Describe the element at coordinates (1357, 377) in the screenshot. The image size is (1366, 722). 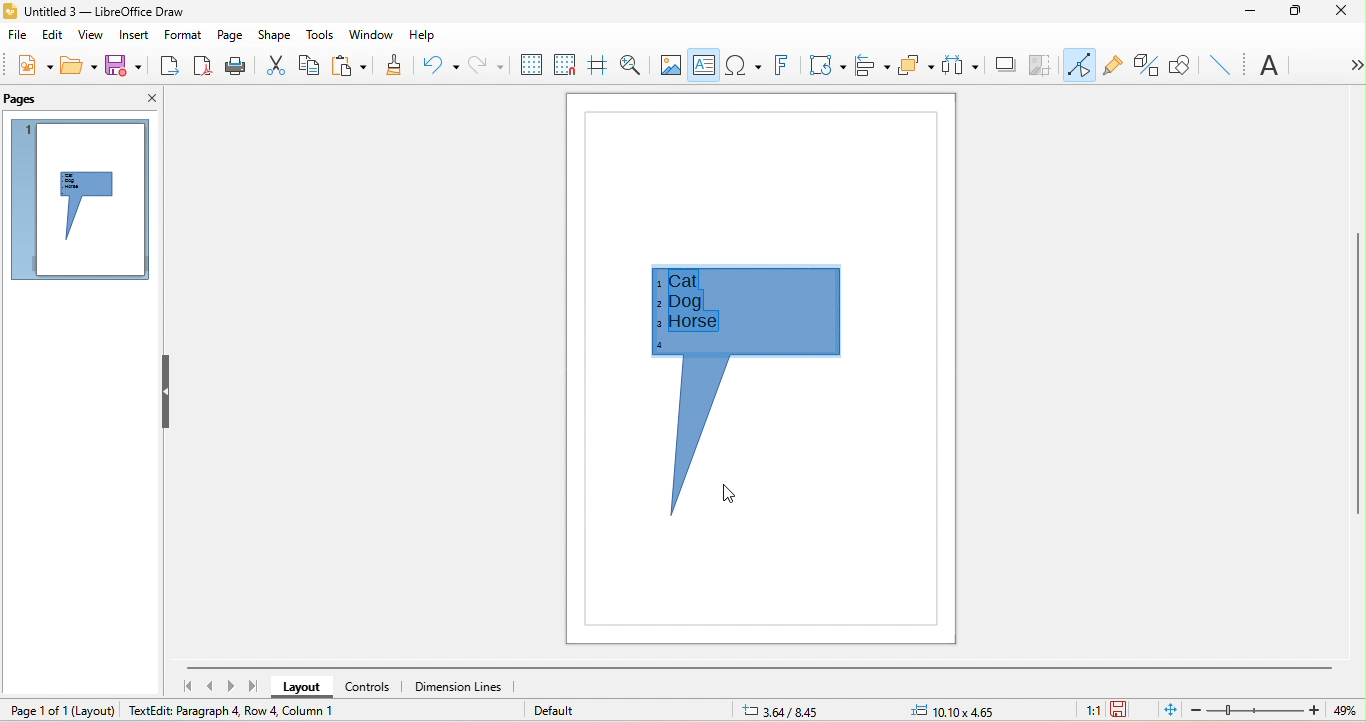
I see `vertical scroll bar` at that location.